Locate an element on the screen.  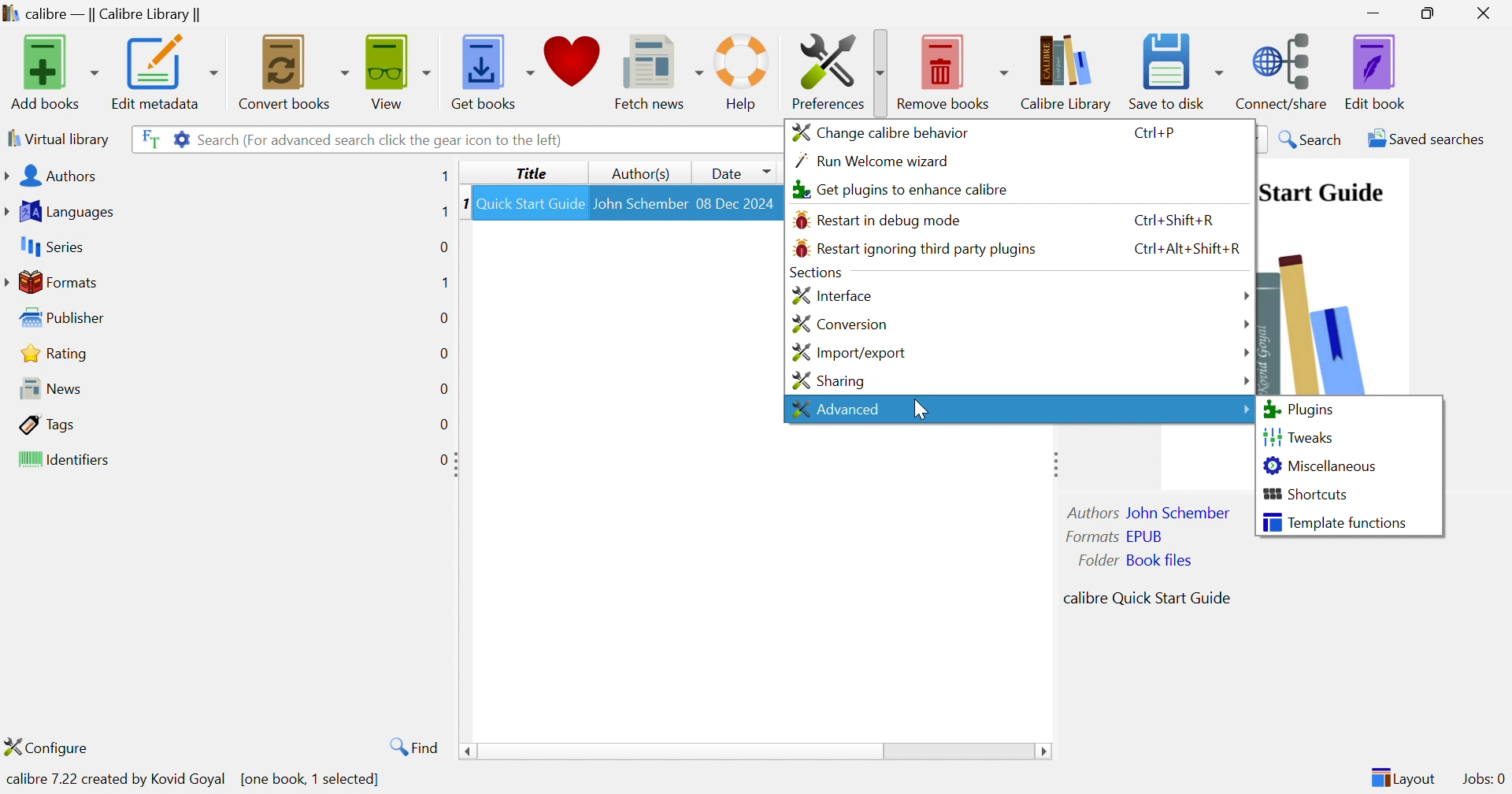
Formats is located at coordinates (54, 282).